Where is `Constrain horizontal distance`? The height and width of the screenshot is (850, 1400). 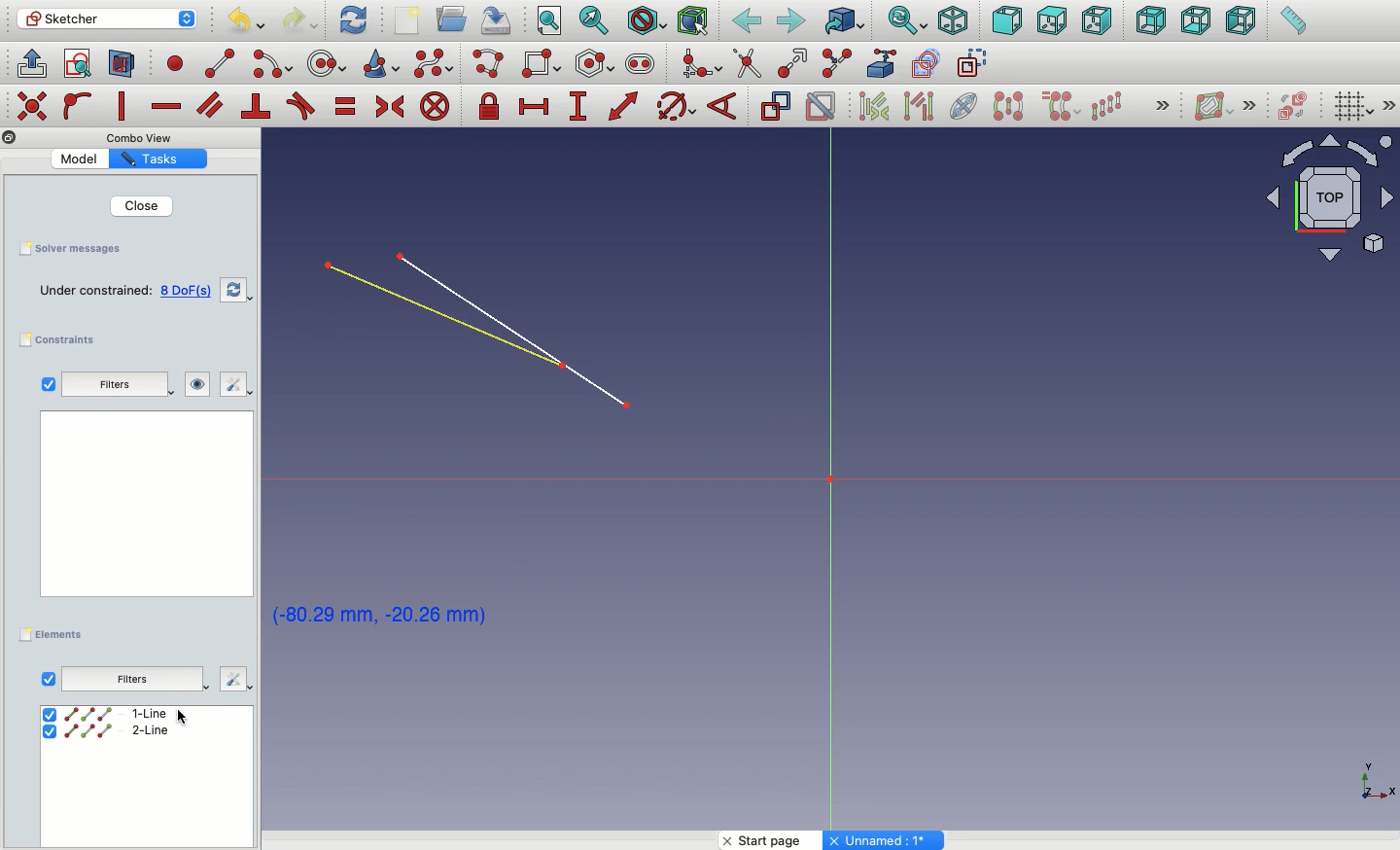 Constrain horizontal distance is located at coordinates (538, 108).